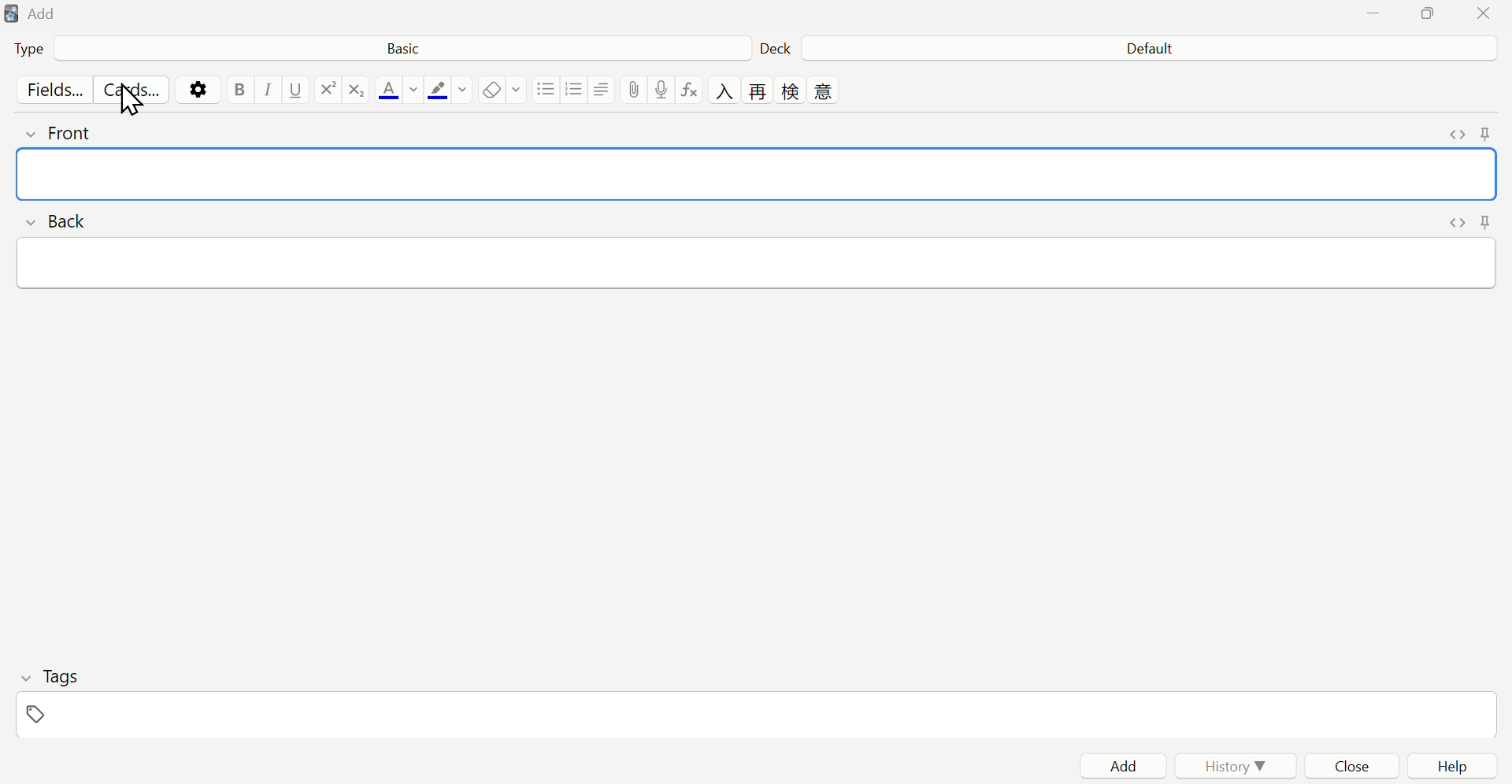 This screenshot has height=784, width=1512. Describe the element at coordinates (235, 91) in the screenshot. I see `Bold` at that location.